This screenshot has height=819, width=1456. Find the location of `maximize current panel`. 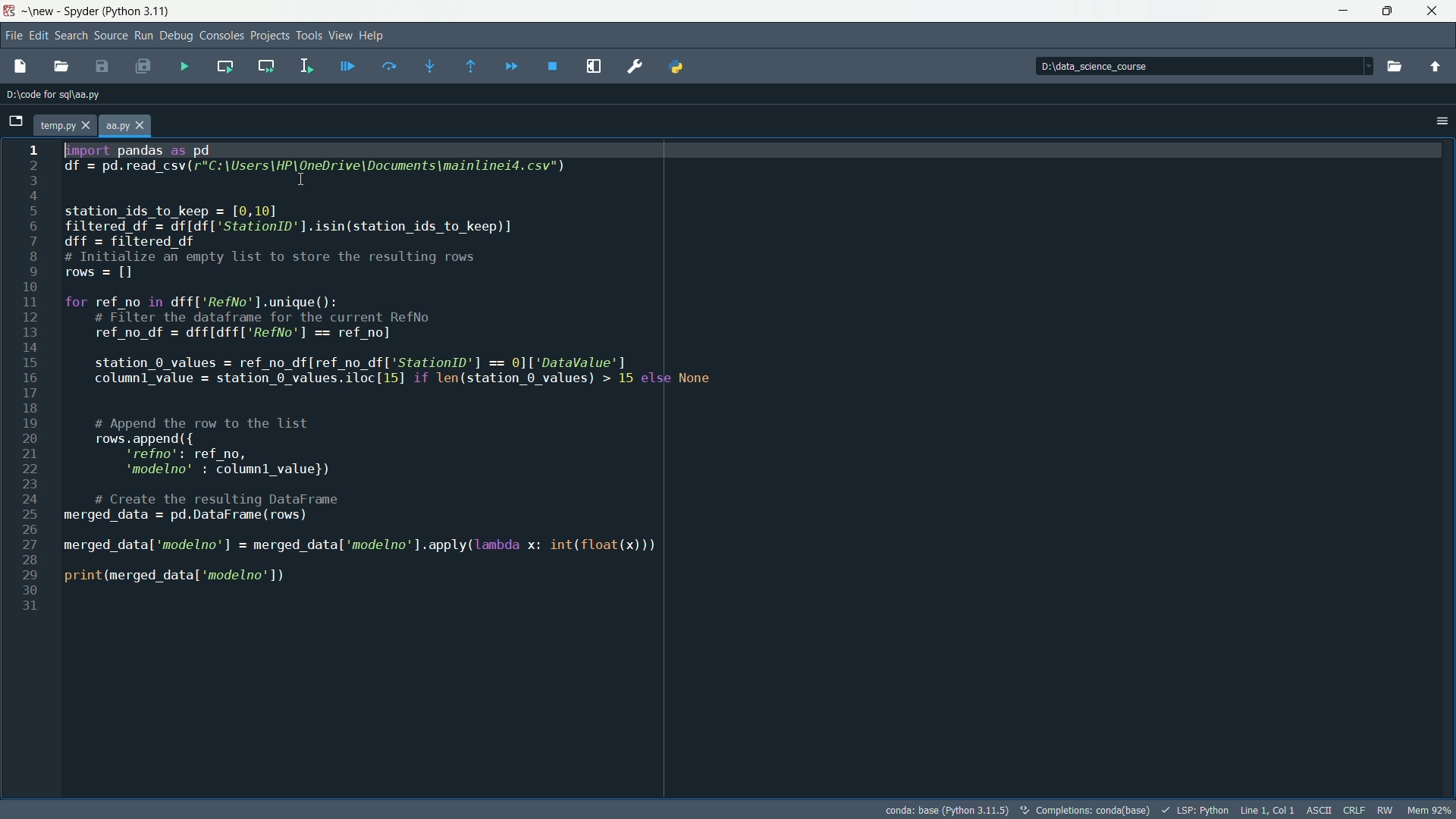

maximize current panel is located at coordinates (594, 66).